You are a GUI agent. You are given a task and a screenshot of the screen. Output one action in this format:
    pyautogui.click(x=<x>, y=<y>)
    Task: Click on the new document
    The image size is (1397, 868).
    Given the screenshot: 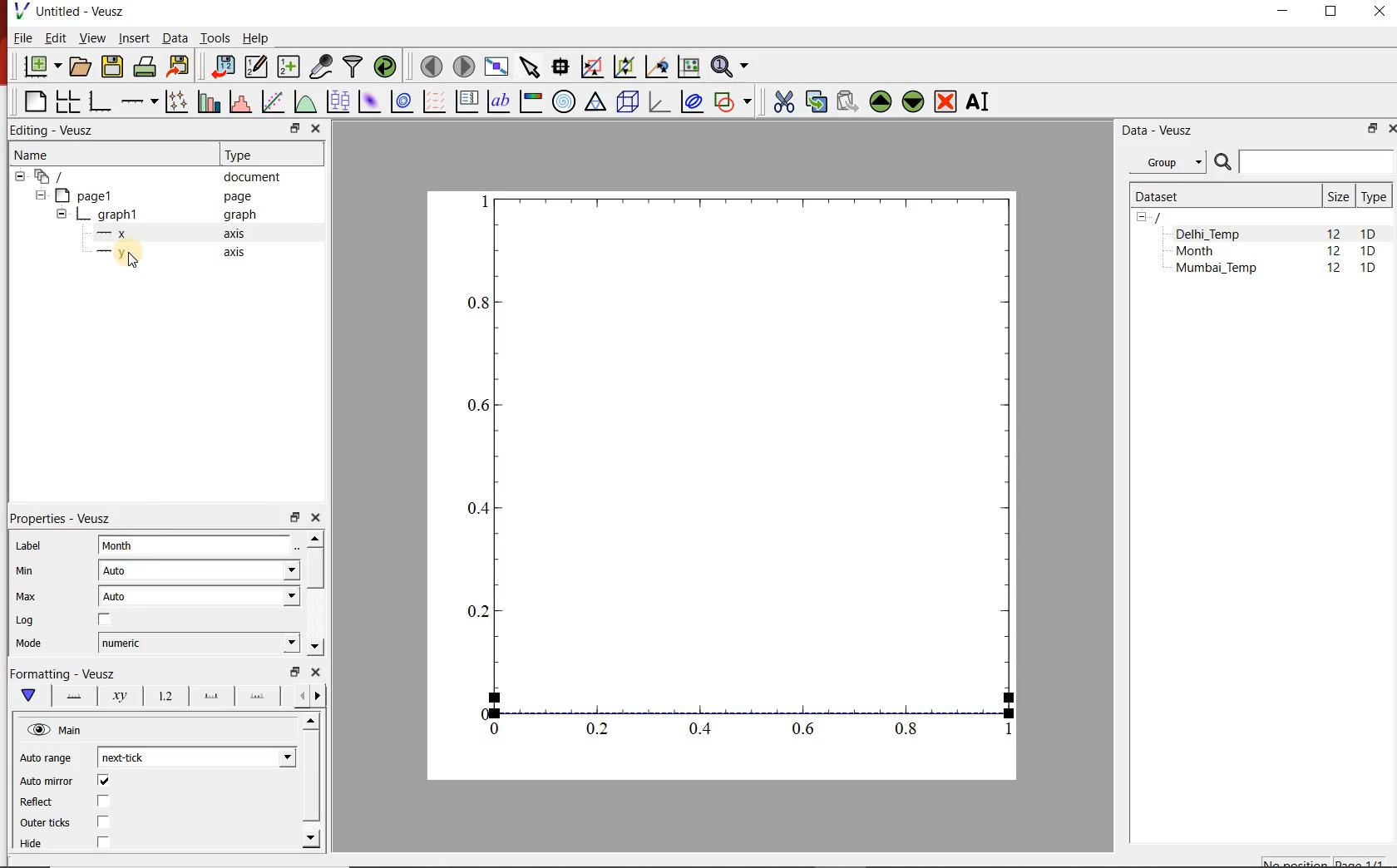 What is the action you would take?
    pyautogui.click(x=41, y=67)
    